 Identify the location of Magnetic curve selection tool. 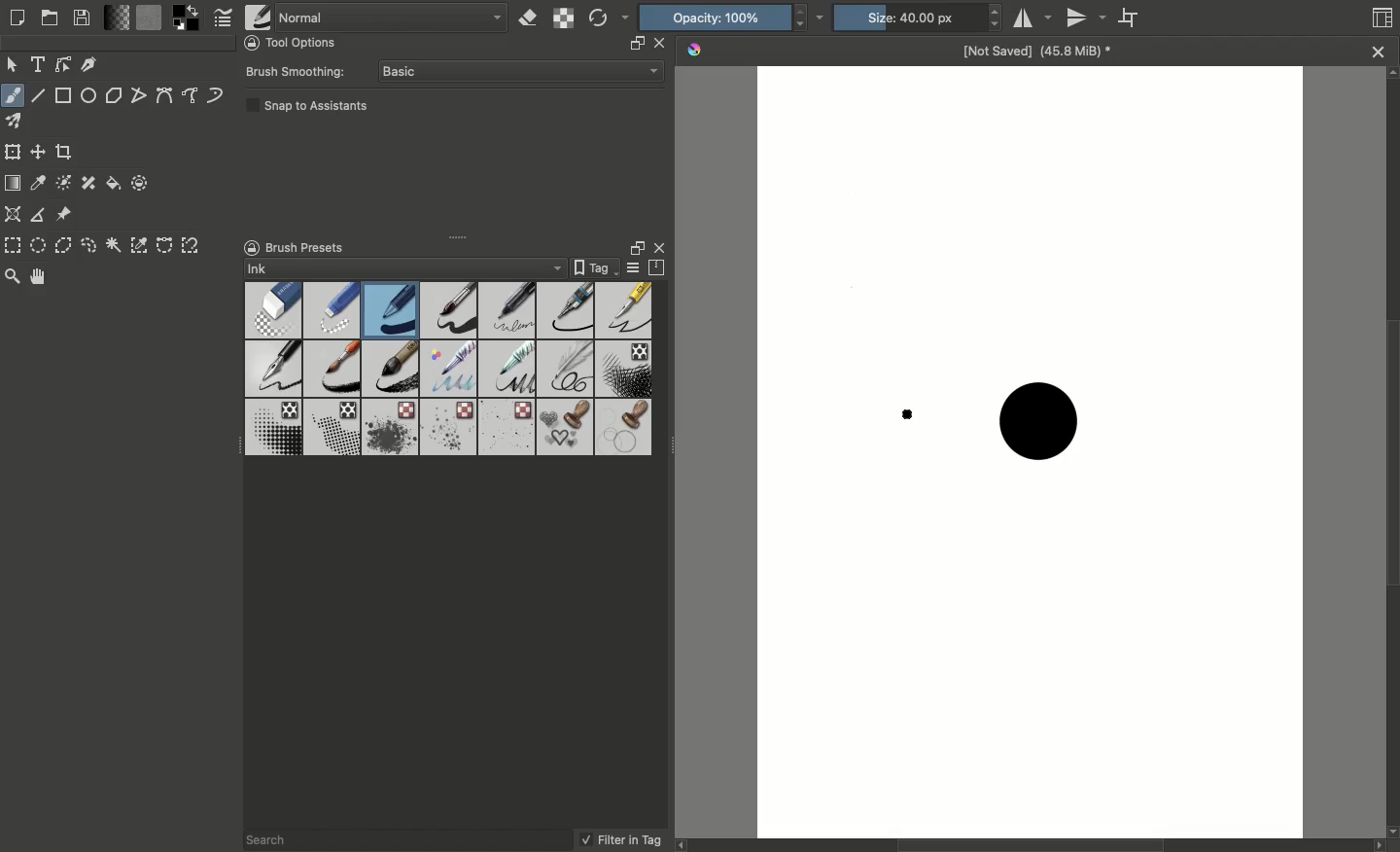
(192, 245).